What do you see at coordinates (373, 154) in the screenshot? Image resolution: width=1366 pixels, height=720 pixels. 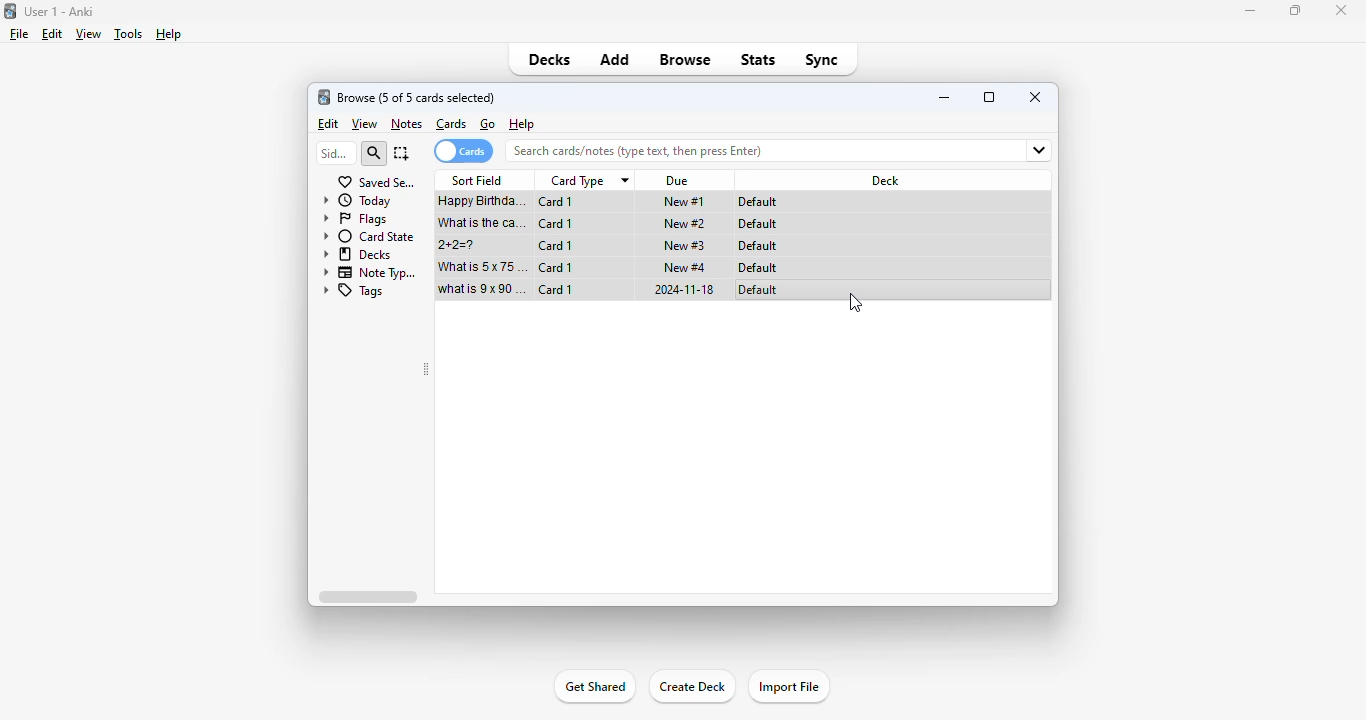 I see `search` at bounding box center [373, 154].